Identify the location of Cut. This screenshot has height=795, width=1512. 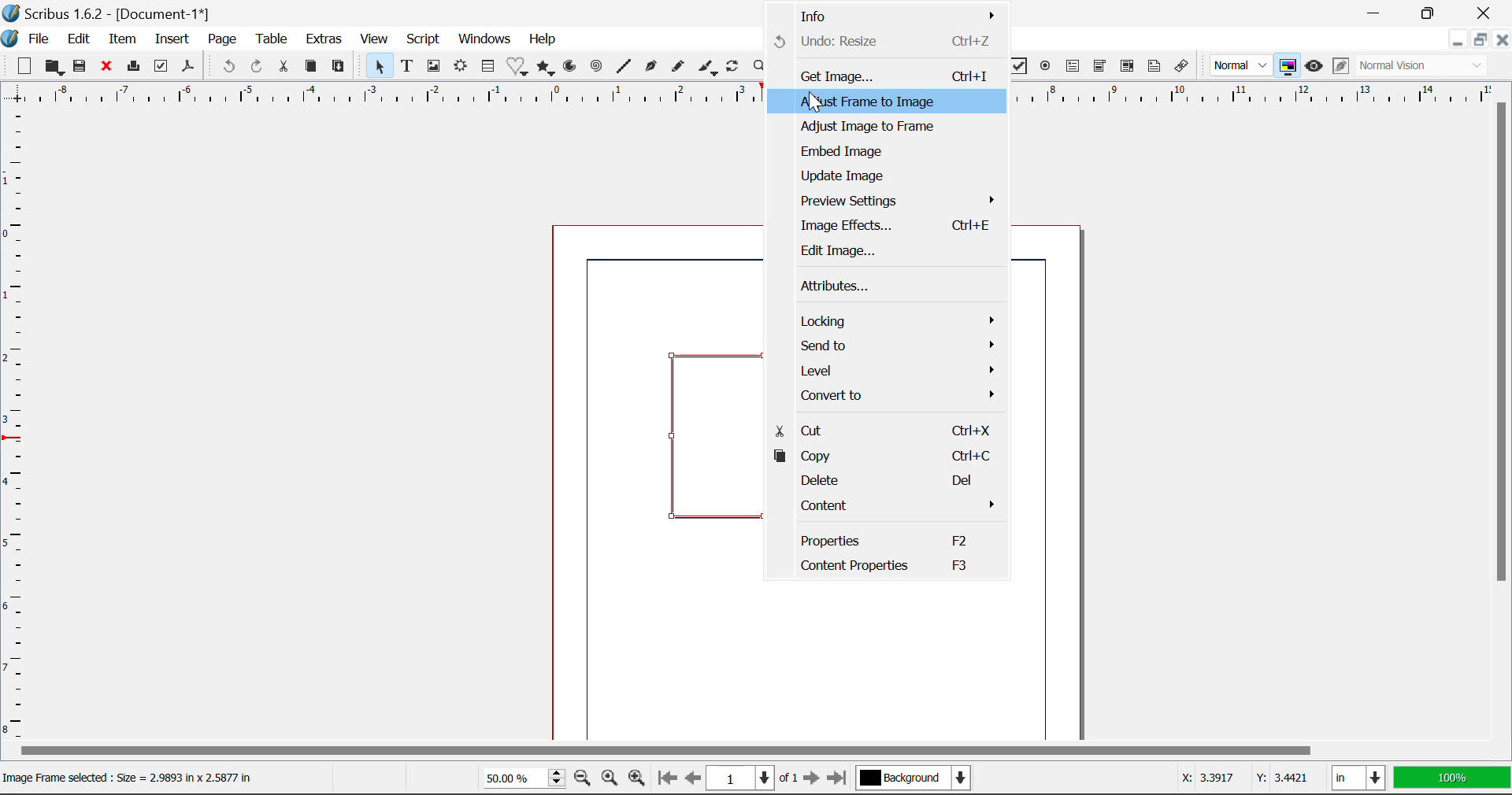
(882, 430).